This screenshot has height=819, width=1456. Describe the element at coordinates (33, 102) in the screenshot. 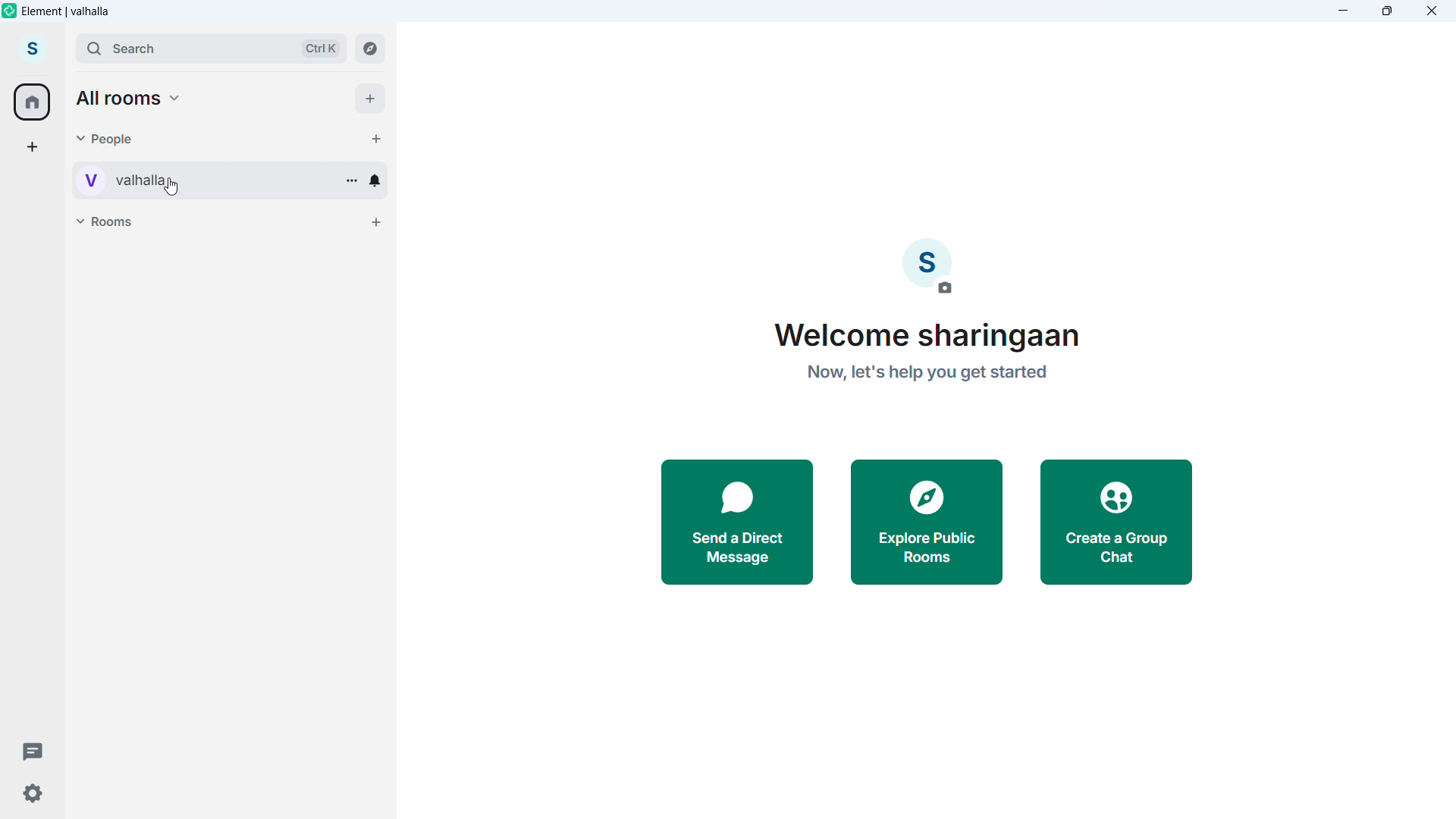

I see `home` at that location.